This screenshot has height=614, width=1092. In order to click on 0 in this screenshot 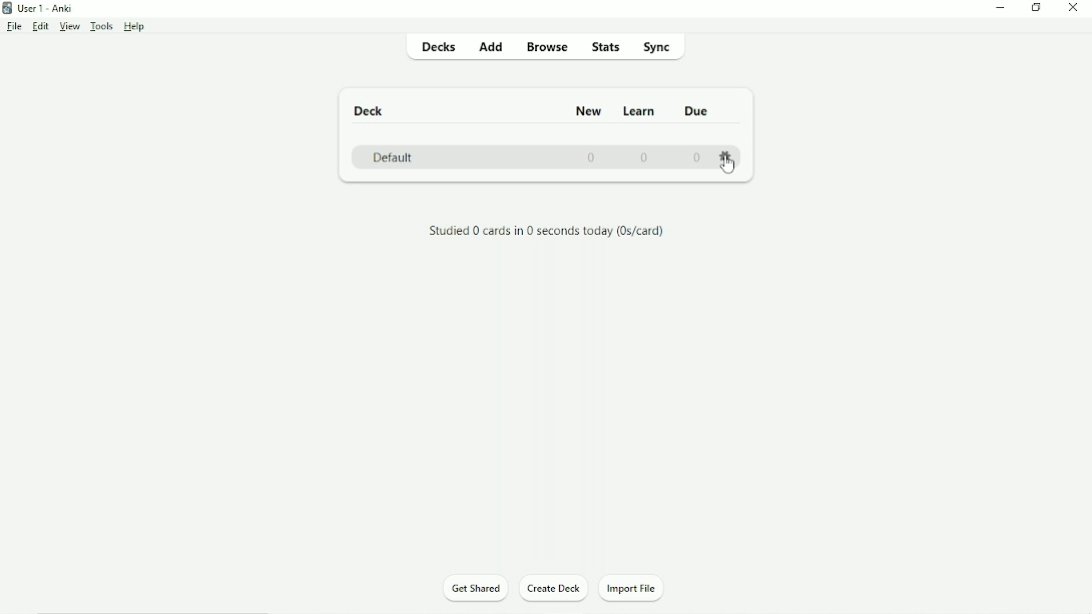, I will do `click(697, 158)`.